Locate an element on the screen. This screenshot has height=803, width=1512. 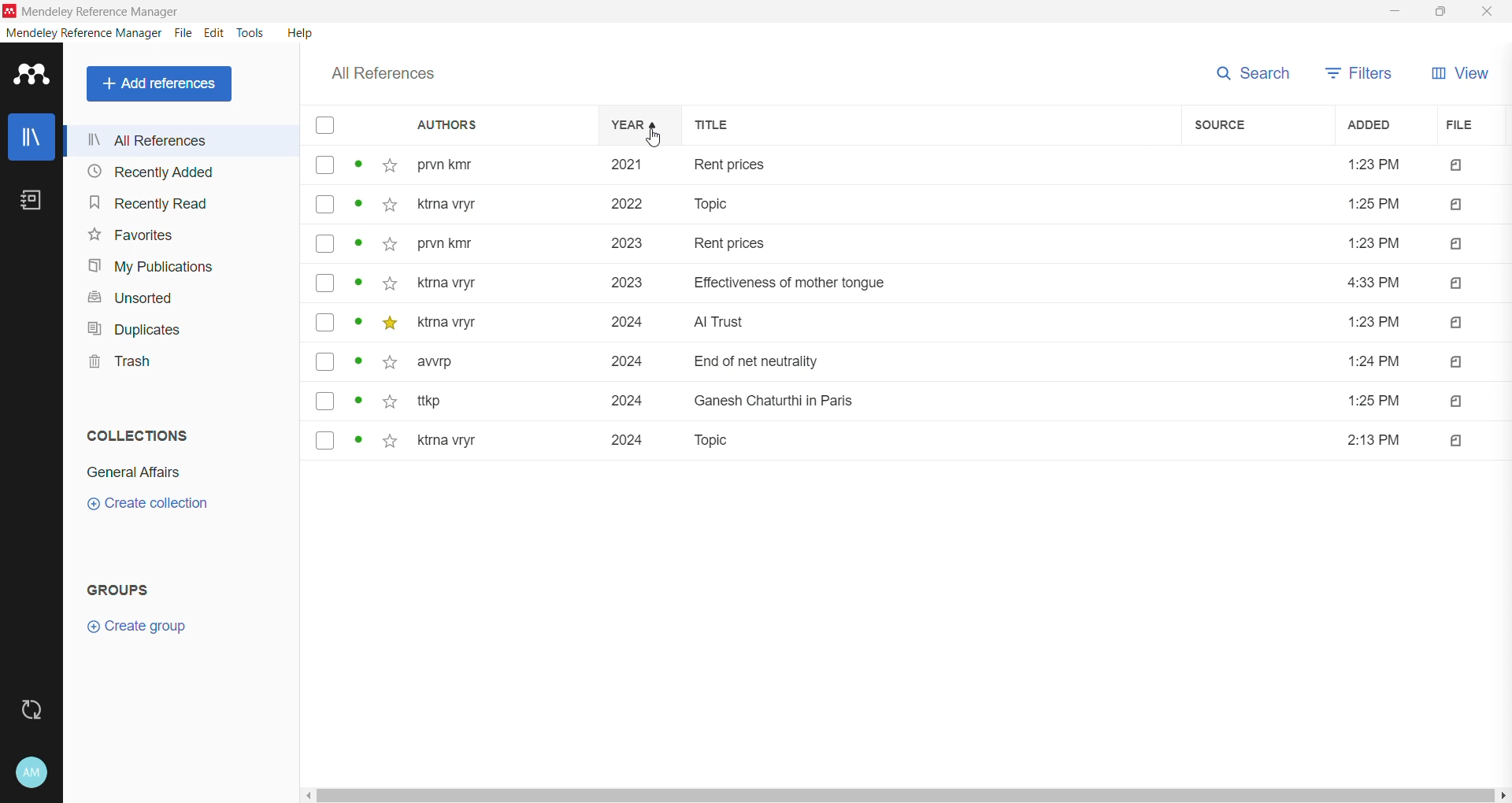
avvrp is located at coordinates (438, 363).